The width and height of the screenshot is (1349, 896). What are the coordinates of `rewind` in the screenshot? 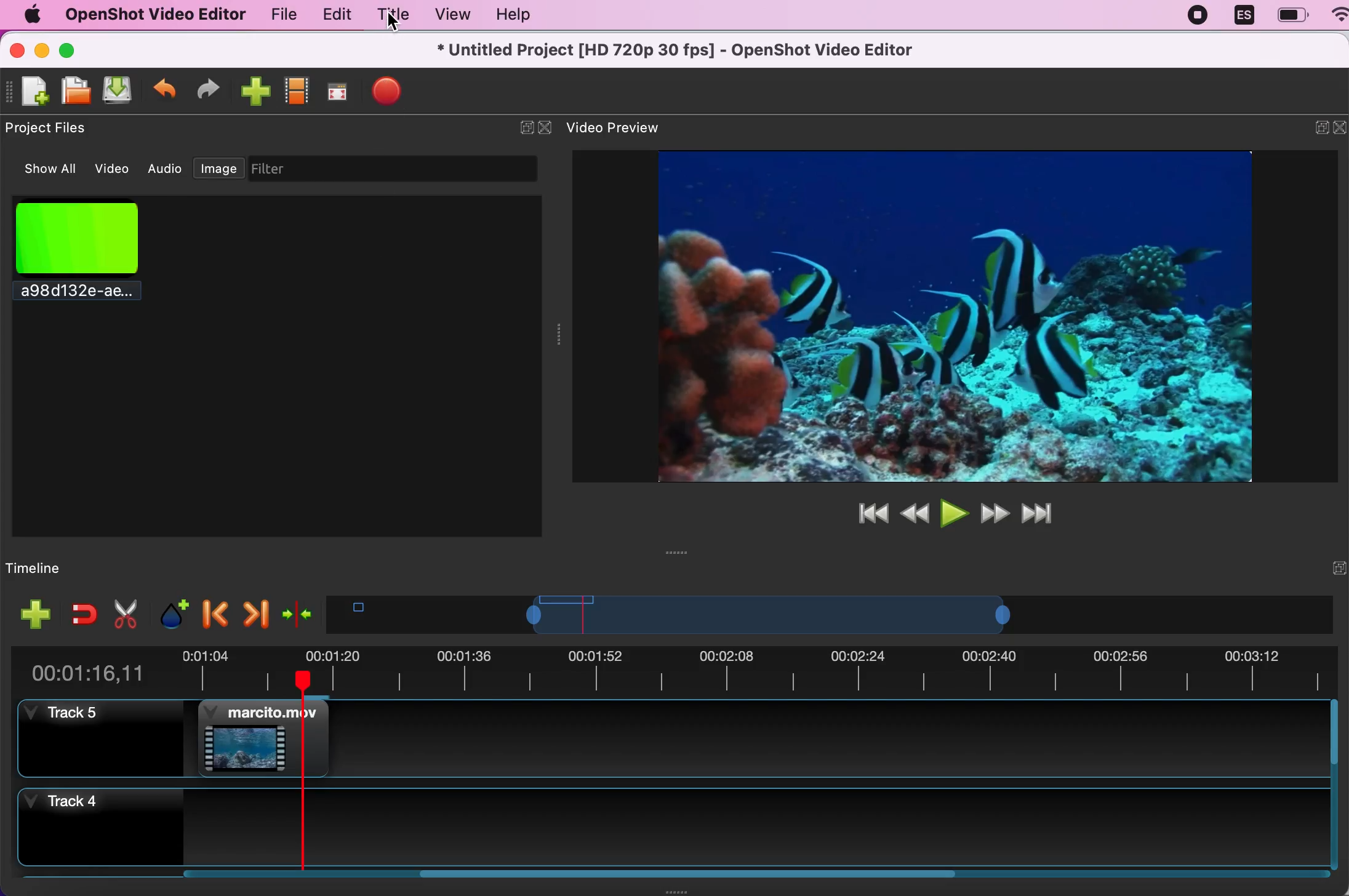 It's located at (915, 511).